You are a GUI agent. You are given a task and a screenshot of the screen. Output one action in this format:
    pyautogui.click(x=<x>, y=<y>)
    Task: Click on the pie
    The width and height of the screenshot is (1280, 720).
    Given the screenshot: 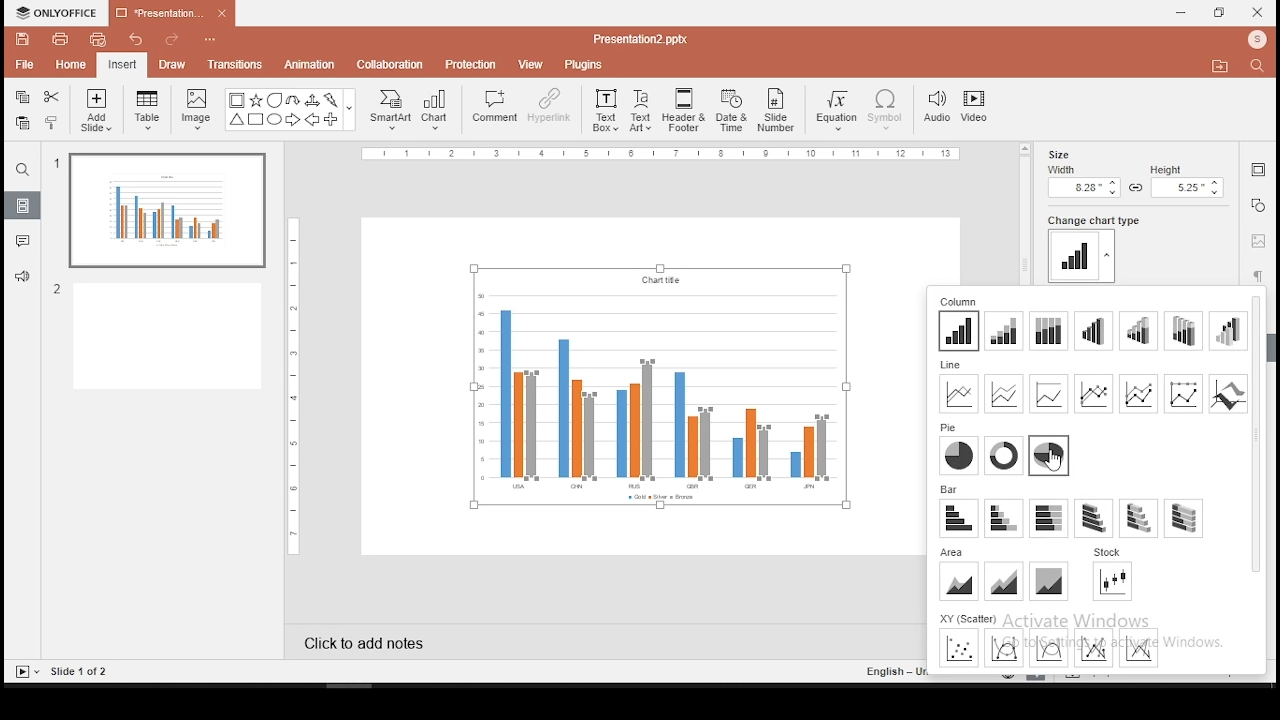 What is the action you would take?
    pyautogui.click(x=950, y=428)
    